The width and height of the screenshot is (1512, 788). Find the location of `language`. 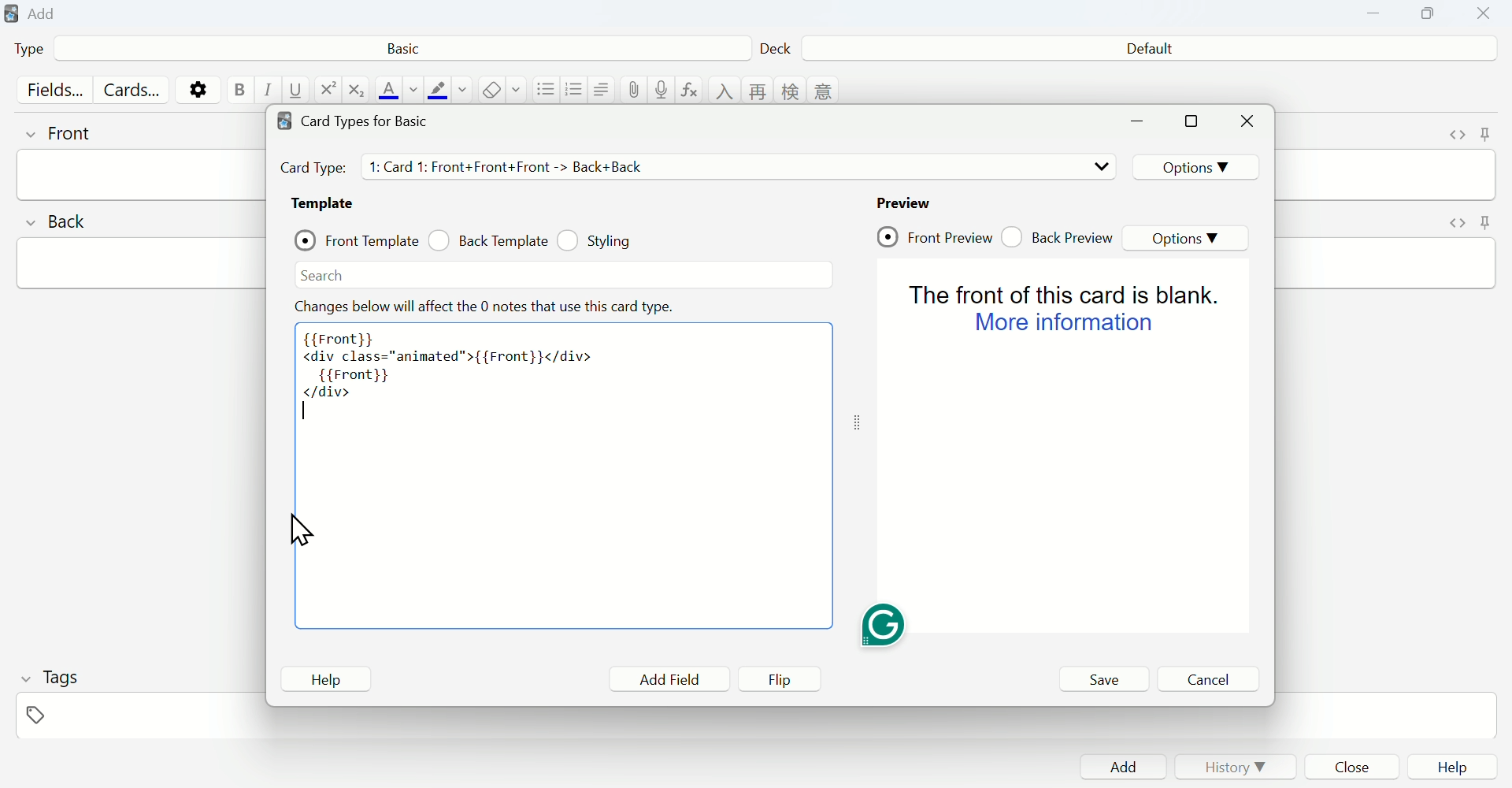

language is located at coordinates (824, 90).